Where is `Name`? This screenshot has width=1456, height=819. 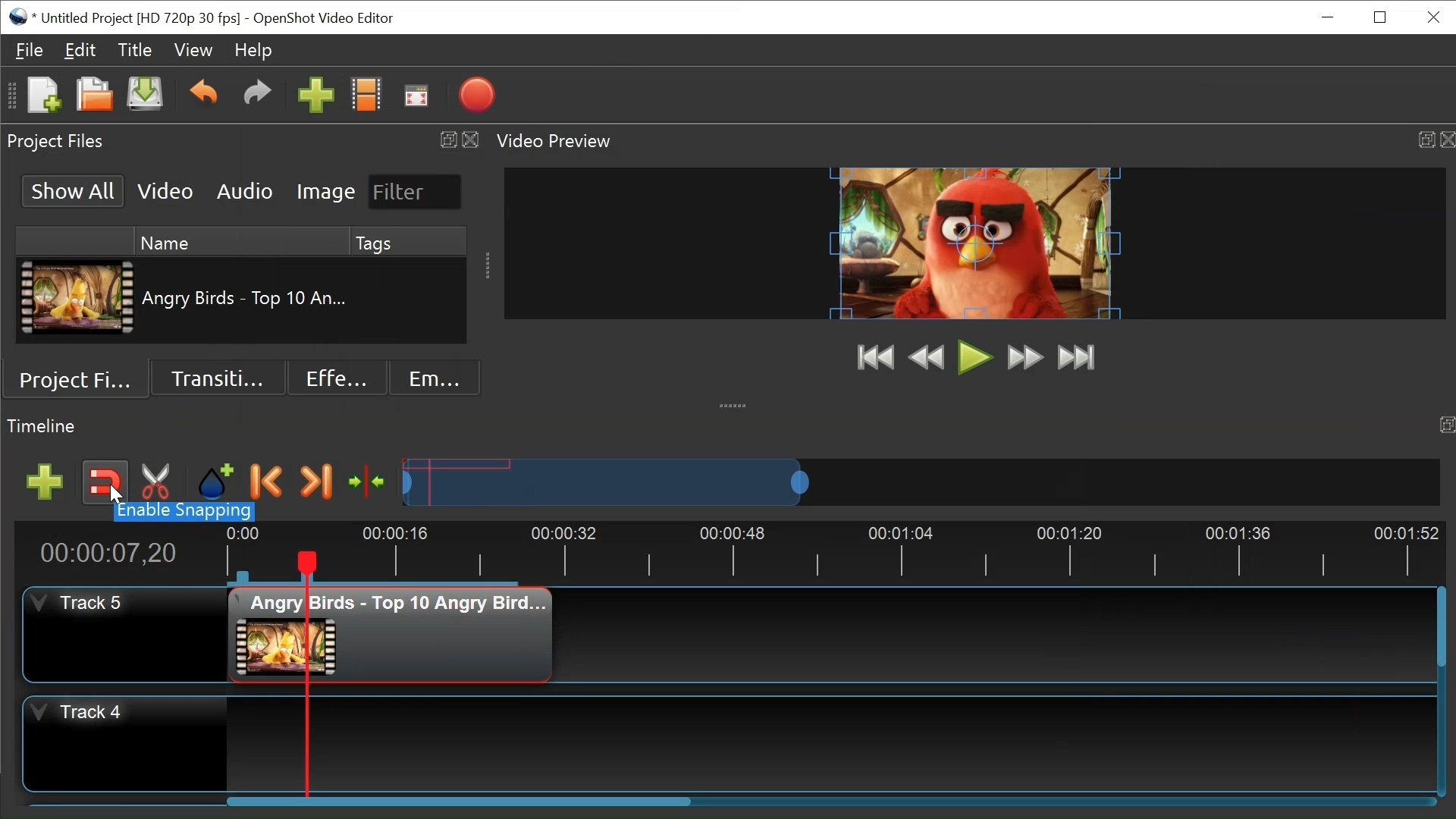
Name is located at coordinates (242, 240).